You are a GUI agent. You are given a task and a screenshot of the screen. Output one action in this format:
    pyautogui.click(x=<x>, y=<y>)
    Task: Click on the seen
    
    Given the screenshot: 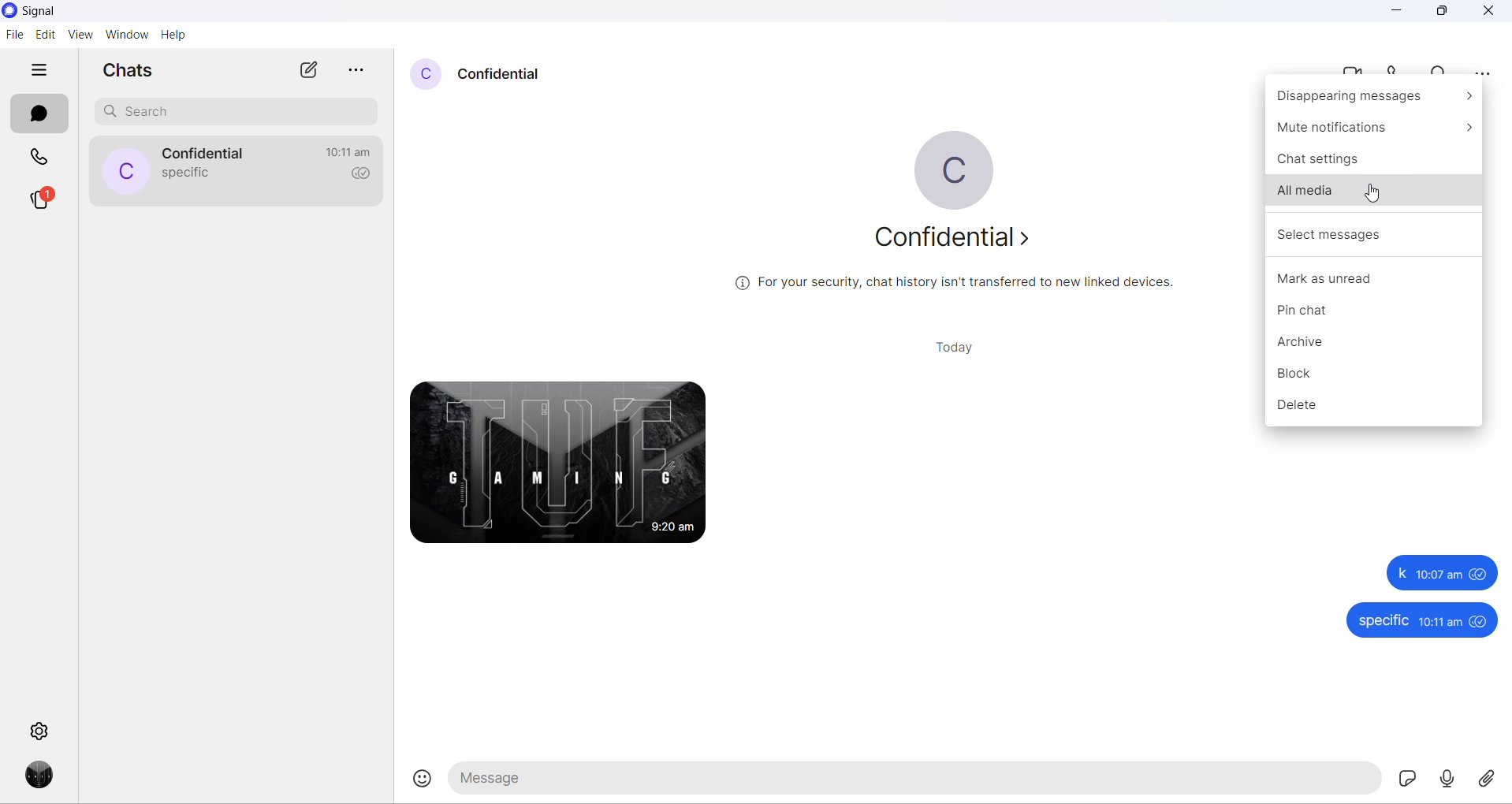 What is the action you would take?
    pyautogui.click(x=1480, y=575)
    